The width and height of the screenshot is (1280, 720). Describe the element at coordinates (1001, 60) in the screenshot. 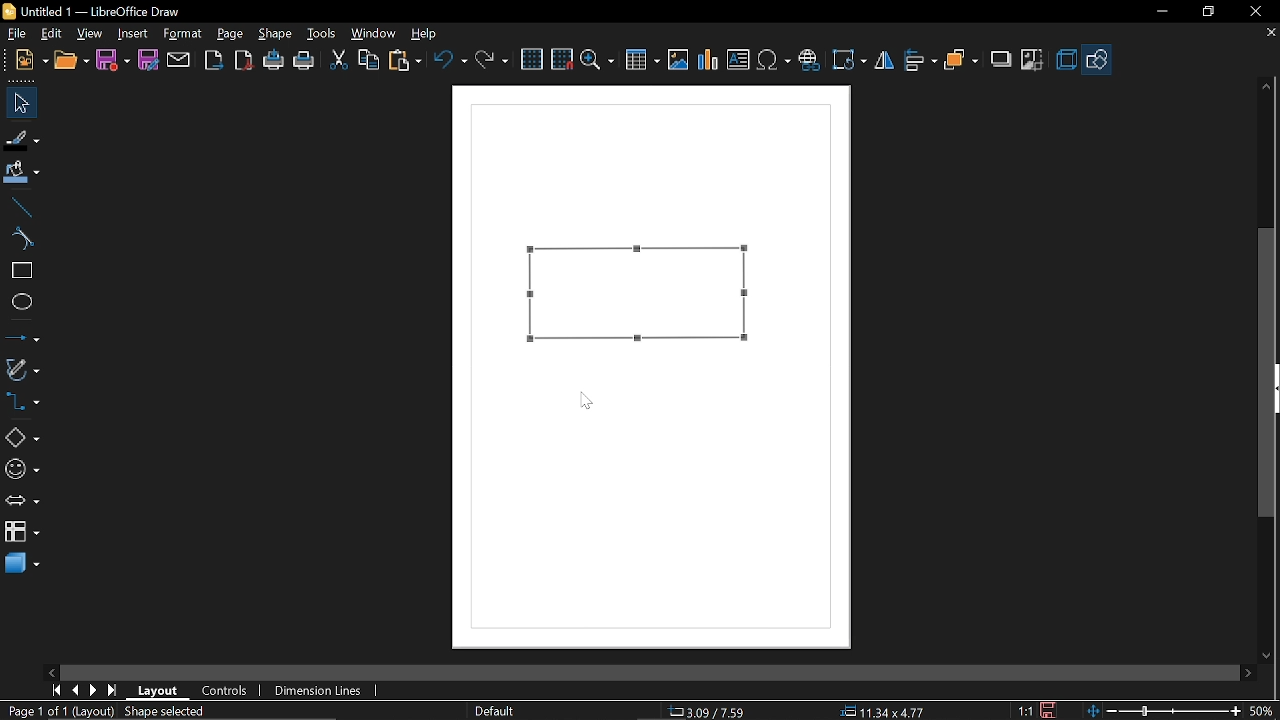

I see `shadow` at that location.